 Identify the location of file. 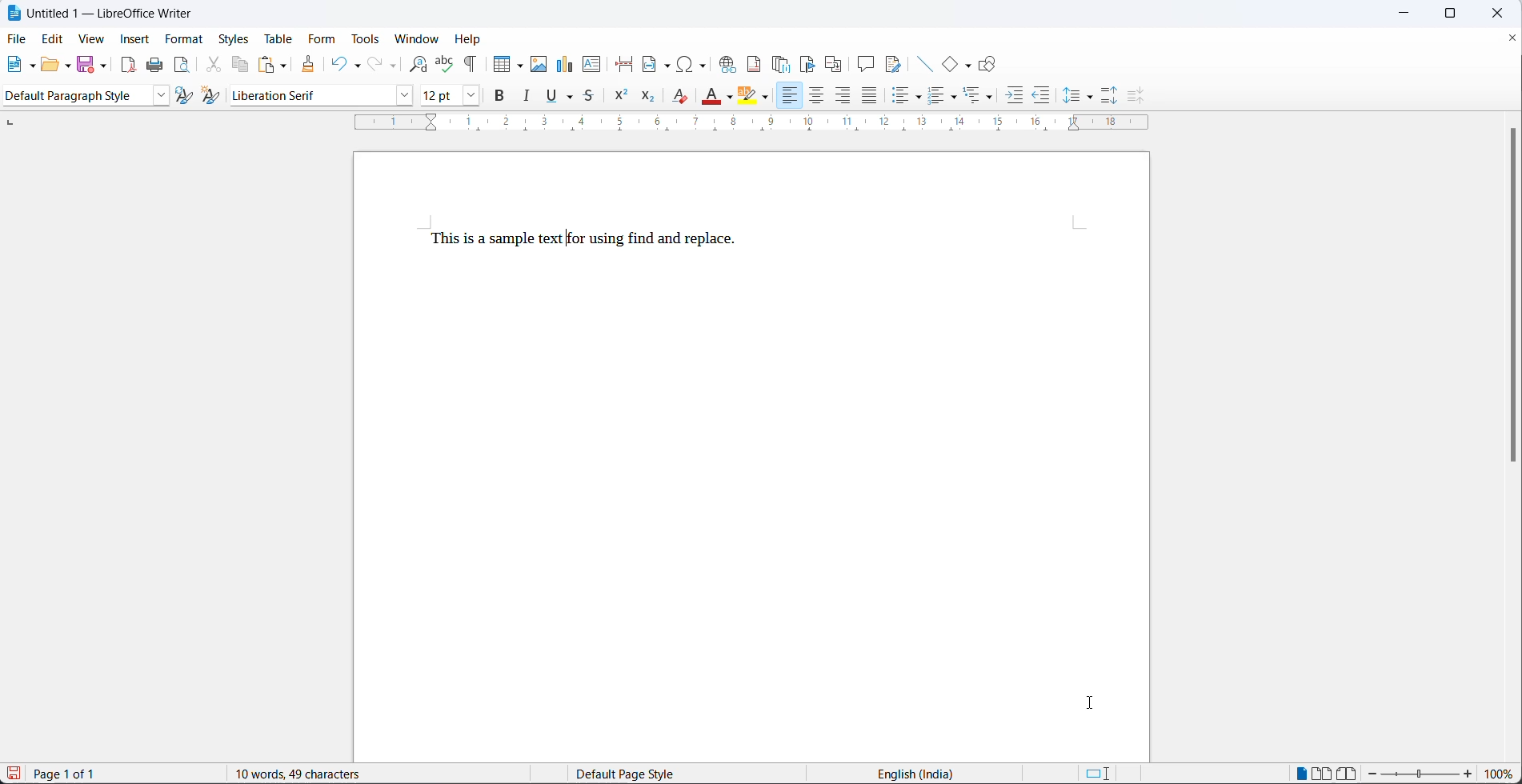
(18, 38).